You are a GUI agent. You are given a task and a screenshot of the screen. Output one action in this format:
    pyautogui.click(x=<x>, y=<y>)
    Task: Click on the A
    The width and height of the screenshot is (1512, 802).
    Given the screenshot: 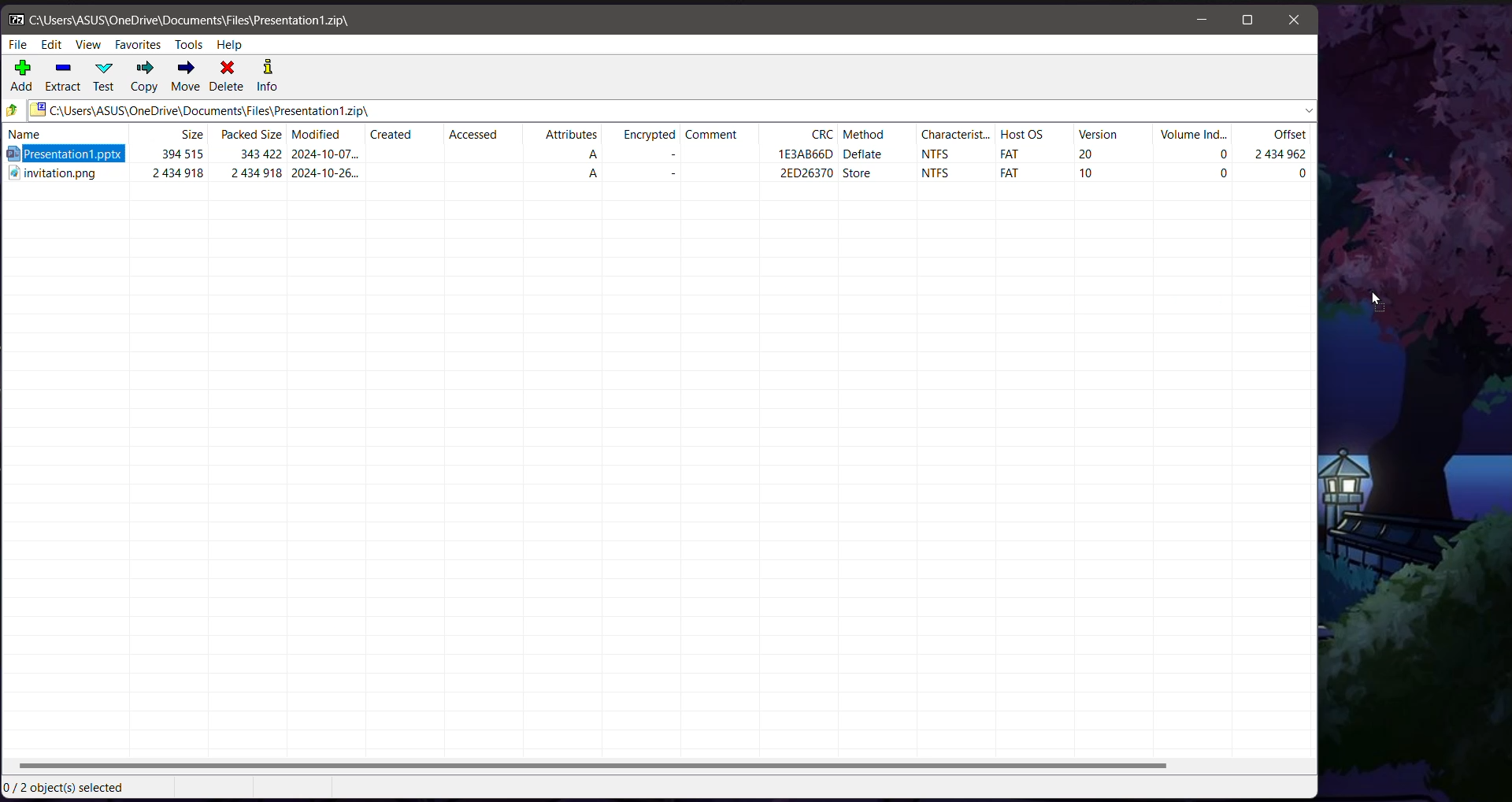 What is the action you would take?
    pyautogui.click(x=602, y=176)
    